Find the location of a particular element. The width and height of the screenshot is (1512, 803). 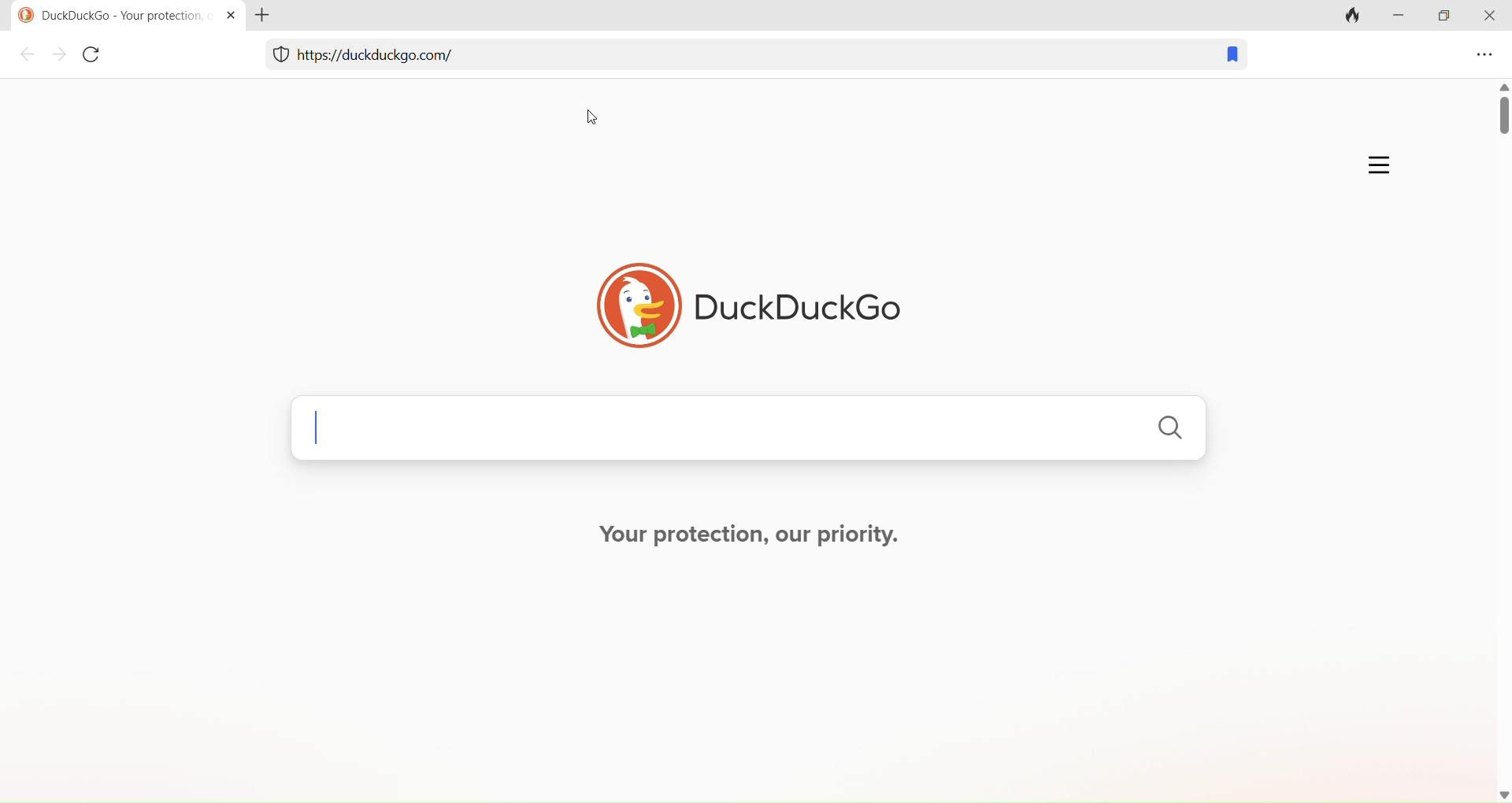

Your protection, our priority. is located at coordinates (750, 535).